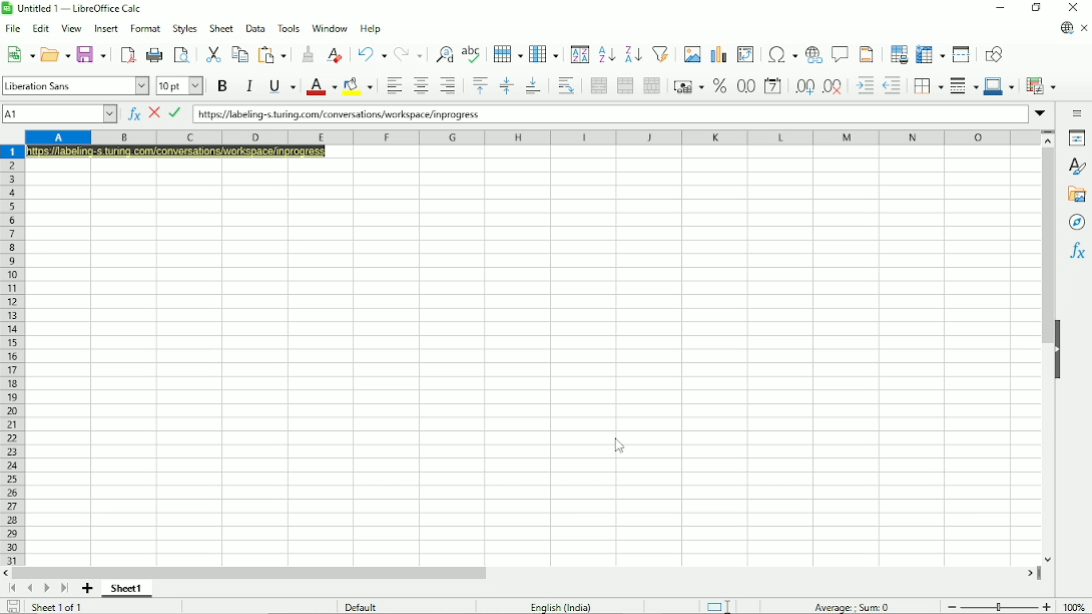 This screenshot has width=1092, height=614. What do you see at coordinates (173, 114) in the screenshot?
I see `Accept` at bounding box center [173, 114].